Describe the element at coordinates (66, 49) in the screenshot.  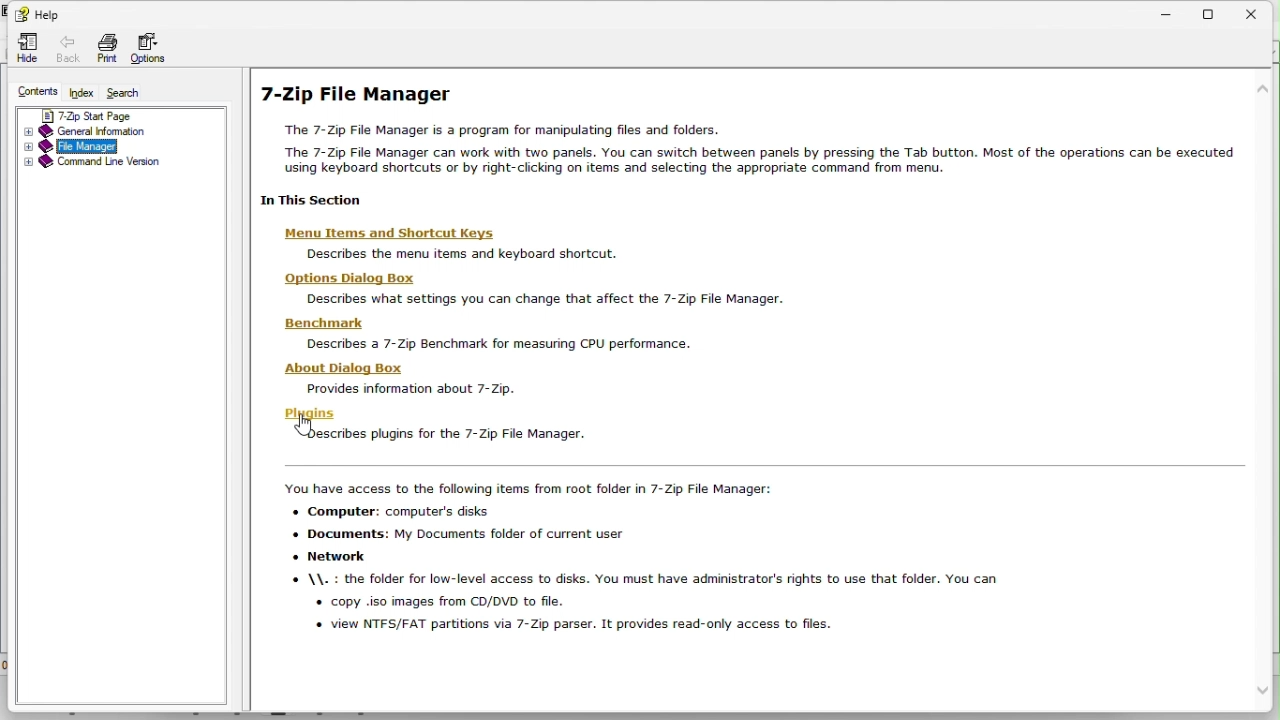
I see `Back` at that location.